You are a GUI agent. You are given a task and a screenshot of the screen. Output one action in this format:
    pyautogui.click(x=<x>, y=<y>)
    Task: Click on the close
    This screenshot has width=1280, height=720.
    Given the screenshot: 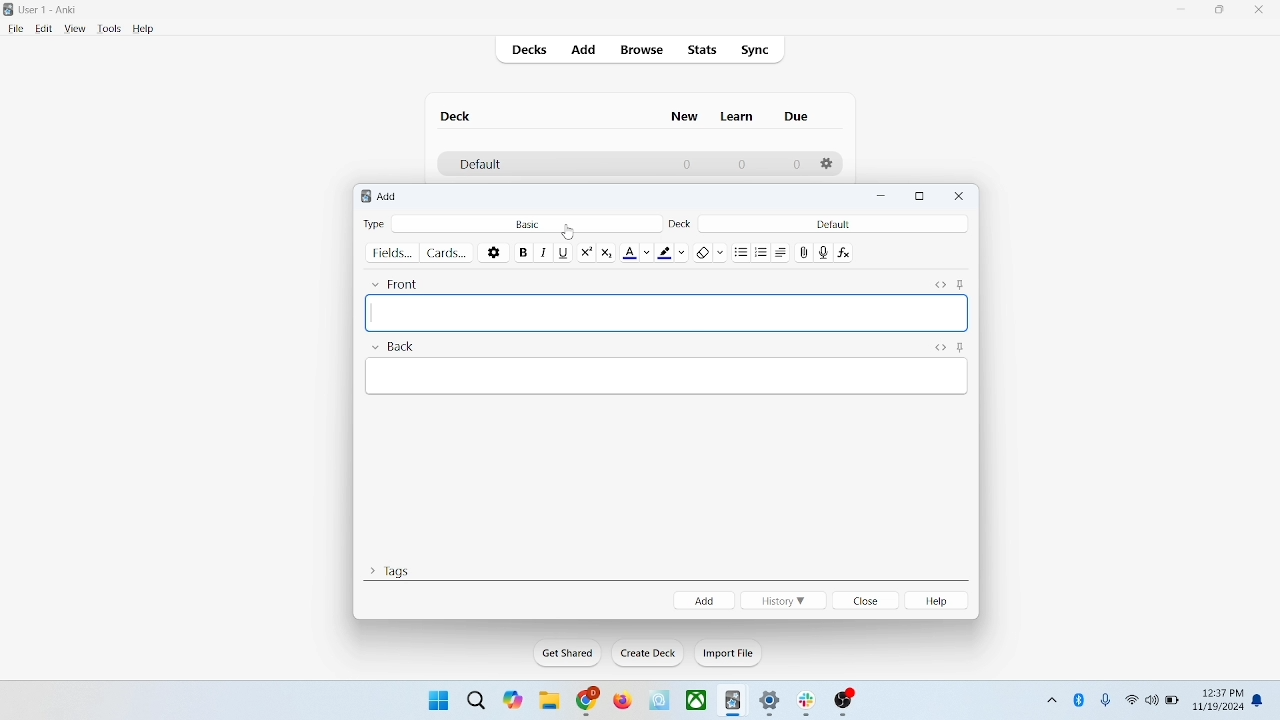 What is the action you would take?
    pyautogui.click(x=1263, y=12)
    